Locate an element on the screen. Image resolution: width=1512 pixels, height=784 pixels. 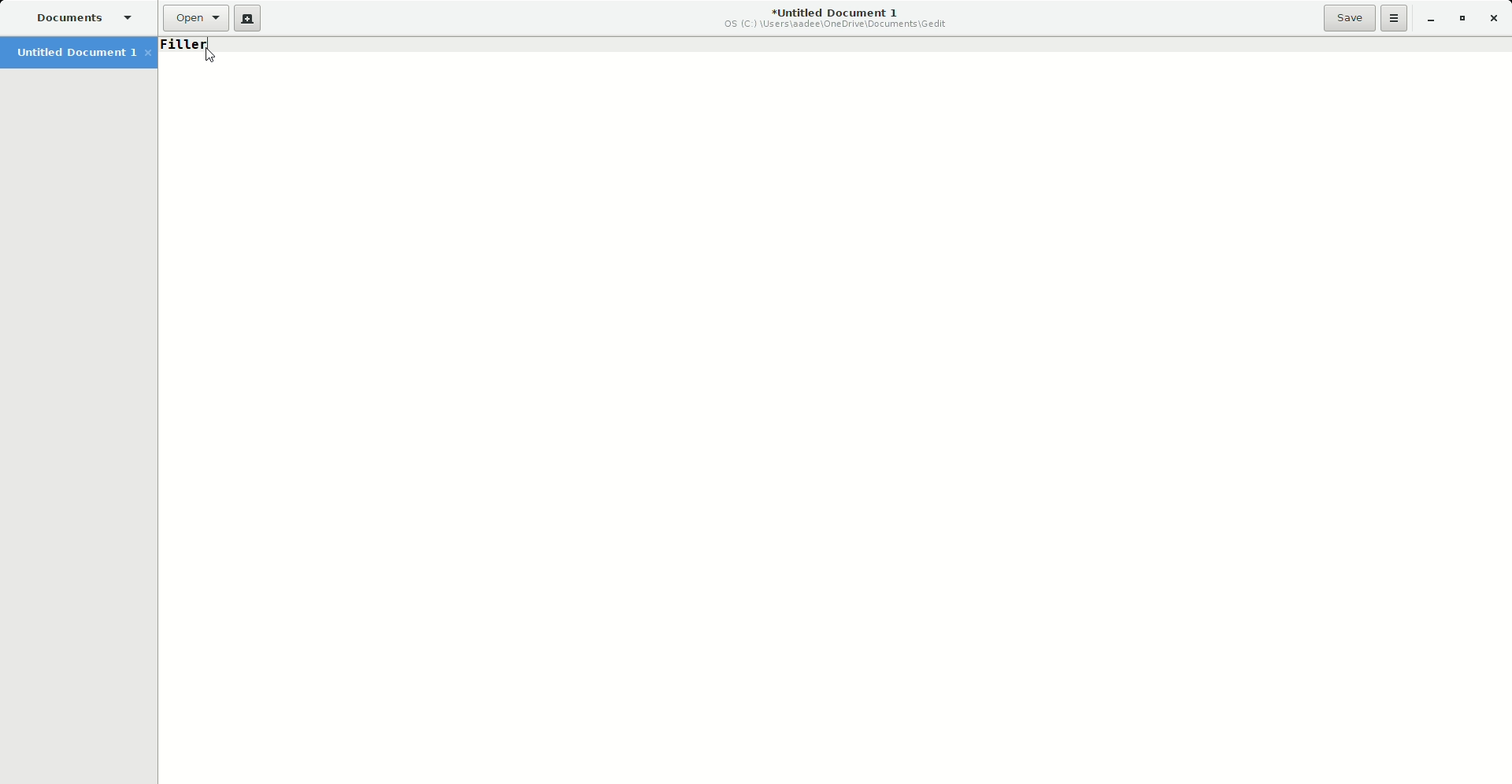
Untitled Document 1 is located at coordinates (832, 19).